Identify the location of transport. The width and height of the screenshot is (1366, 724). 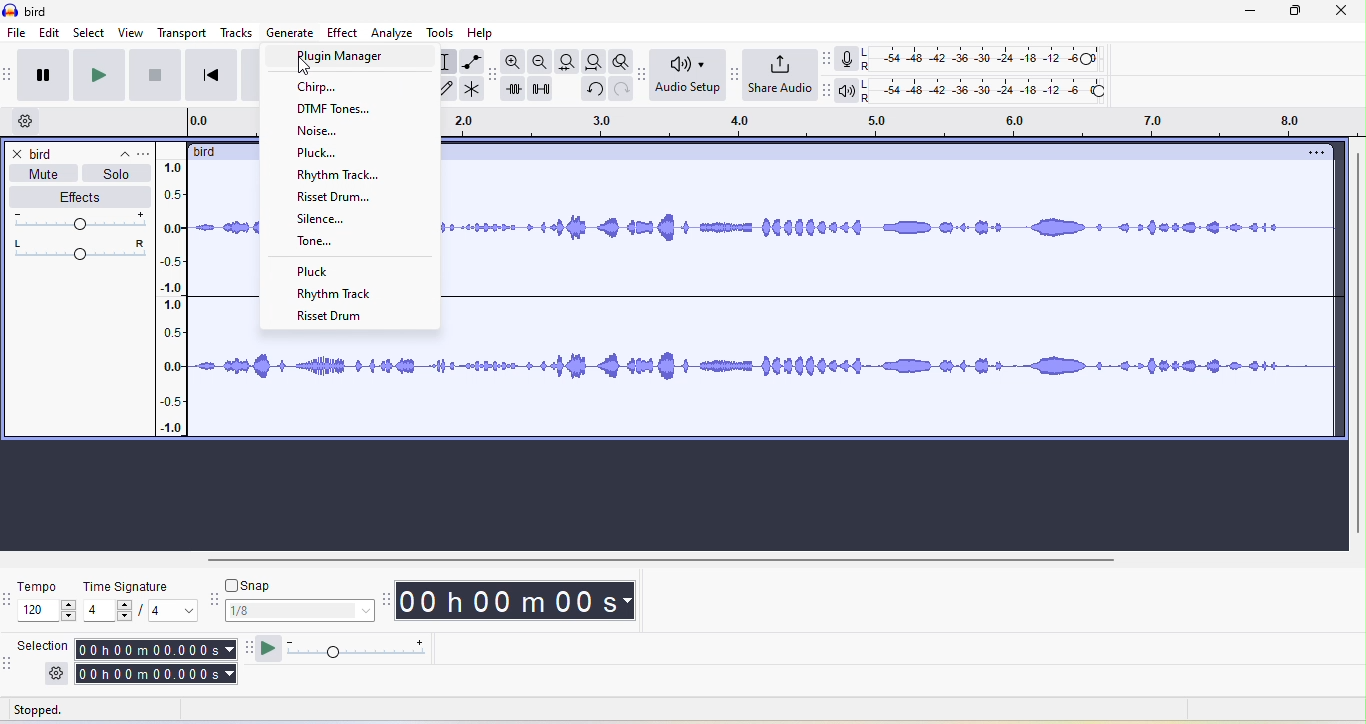
(183, 33).